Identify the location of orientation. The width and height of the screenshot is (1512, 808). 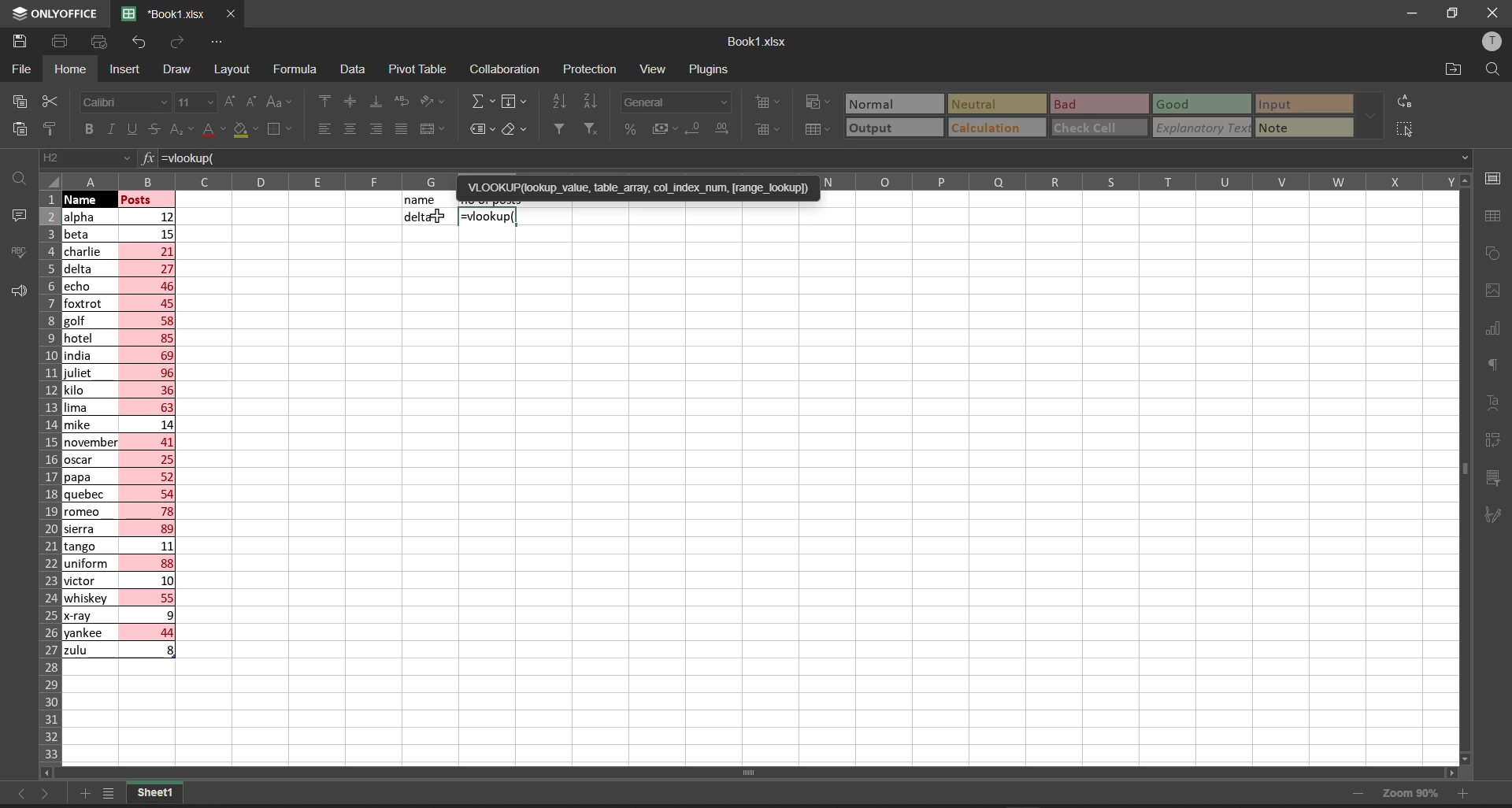
(436, 102).